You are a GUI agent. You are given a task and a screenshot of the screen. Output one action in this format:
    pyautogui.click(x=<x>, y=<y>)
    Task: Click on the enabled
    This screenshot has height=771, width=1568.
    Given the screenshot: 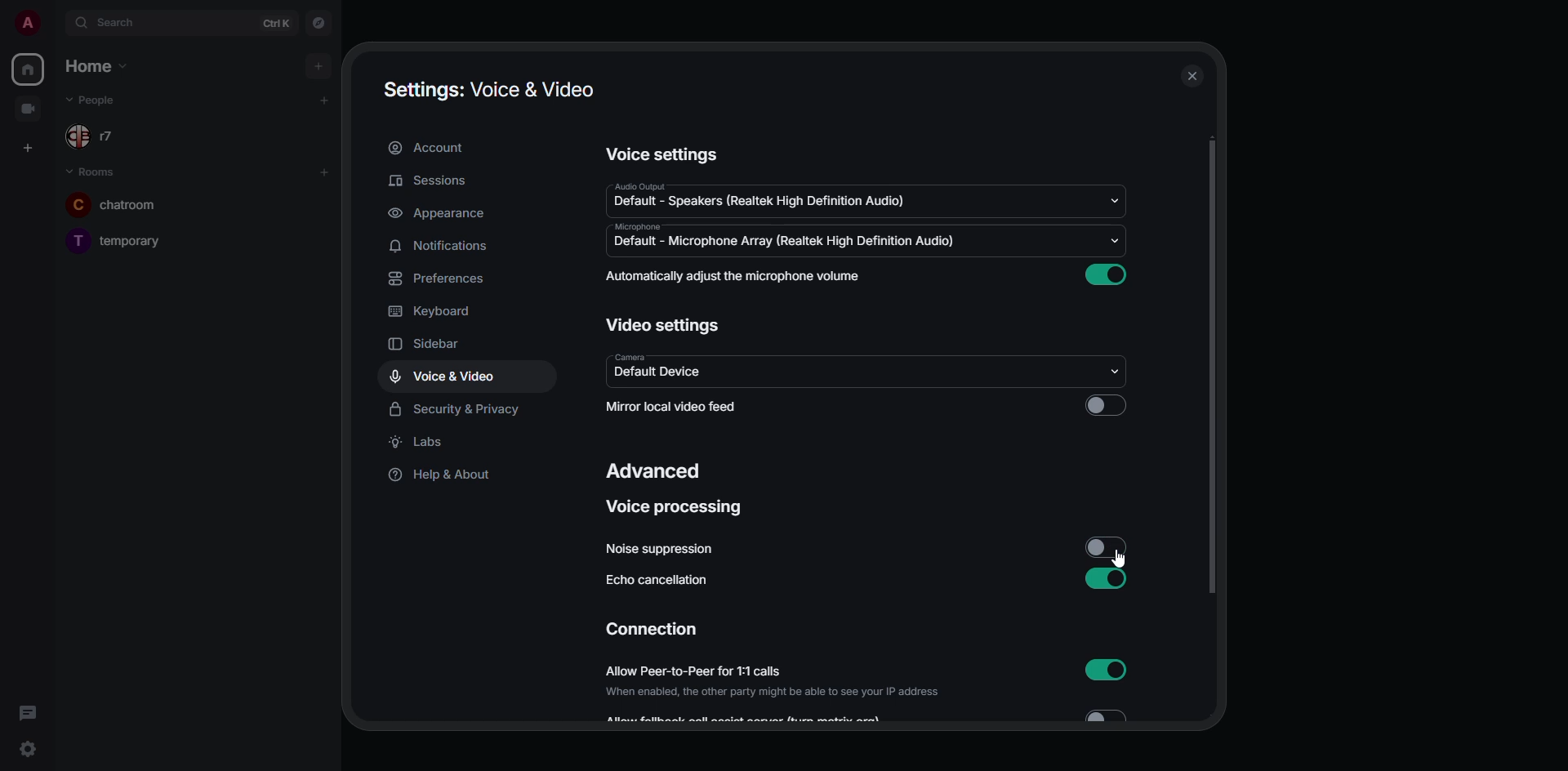 What is the action you would take?
    pyautogui.click(x=1113, y=670)
    